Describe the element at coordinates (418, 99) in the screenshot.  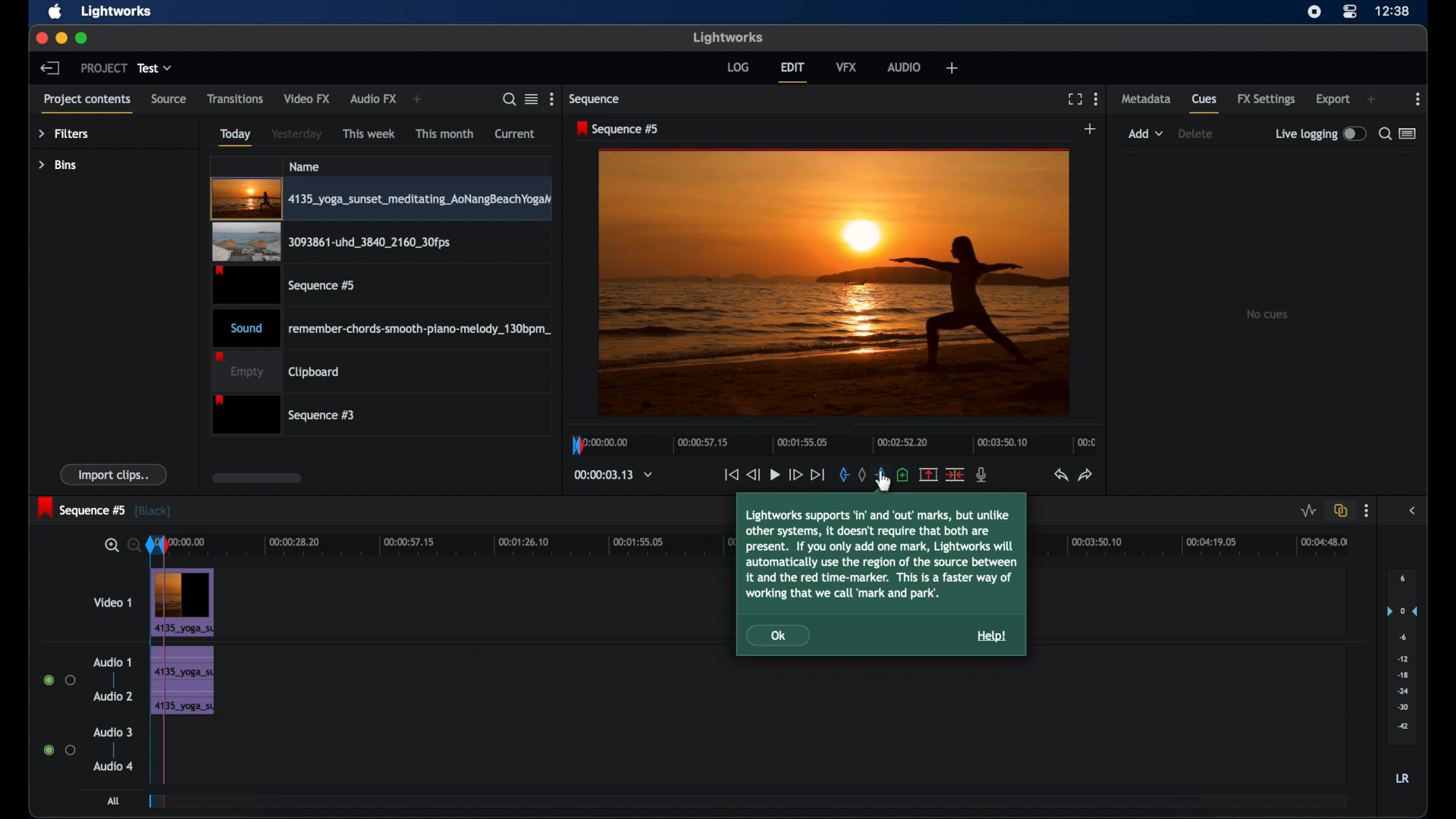
I see `add` at that location.